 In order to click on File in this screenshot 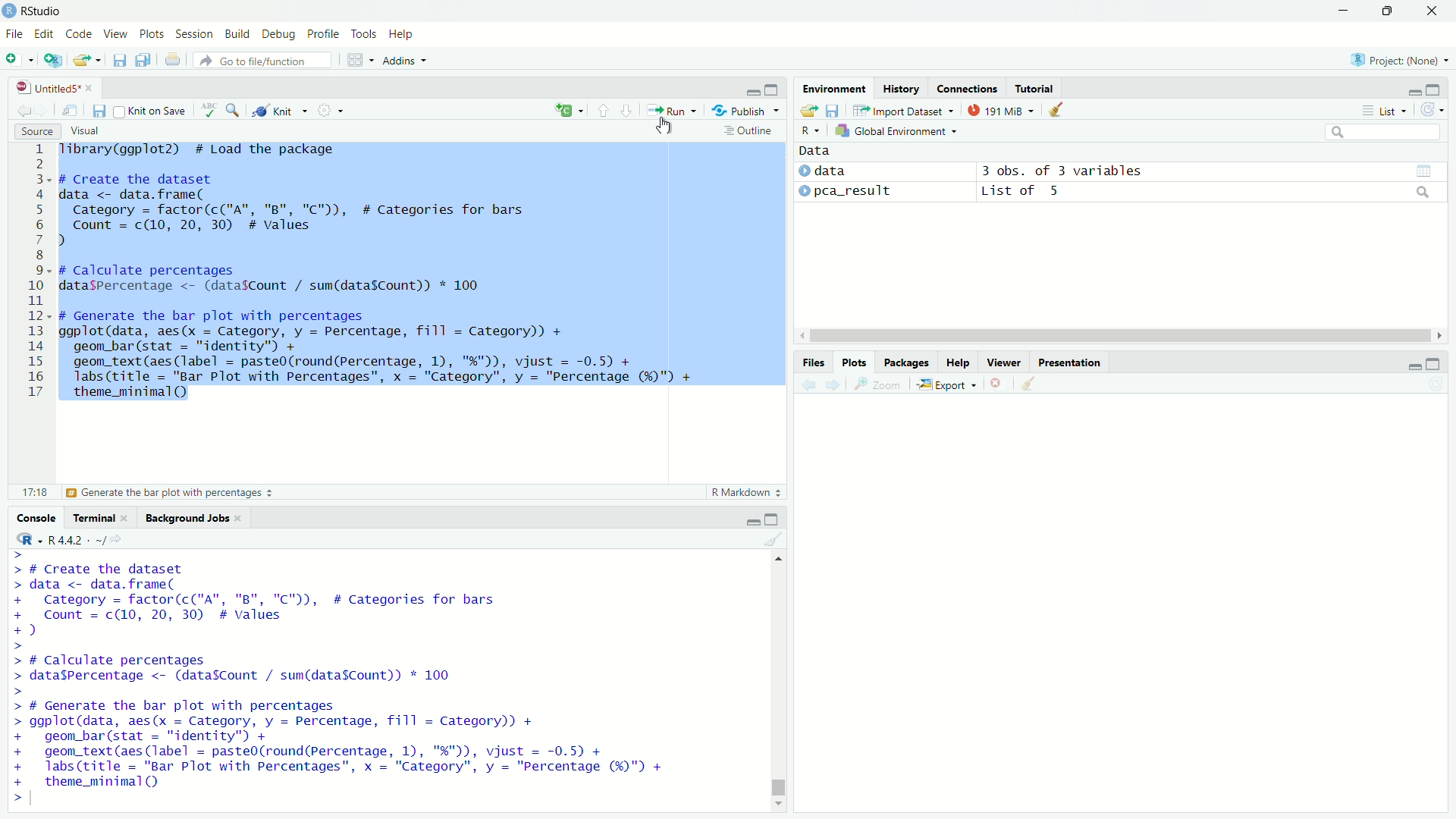, I will do `click(15, 35)`.